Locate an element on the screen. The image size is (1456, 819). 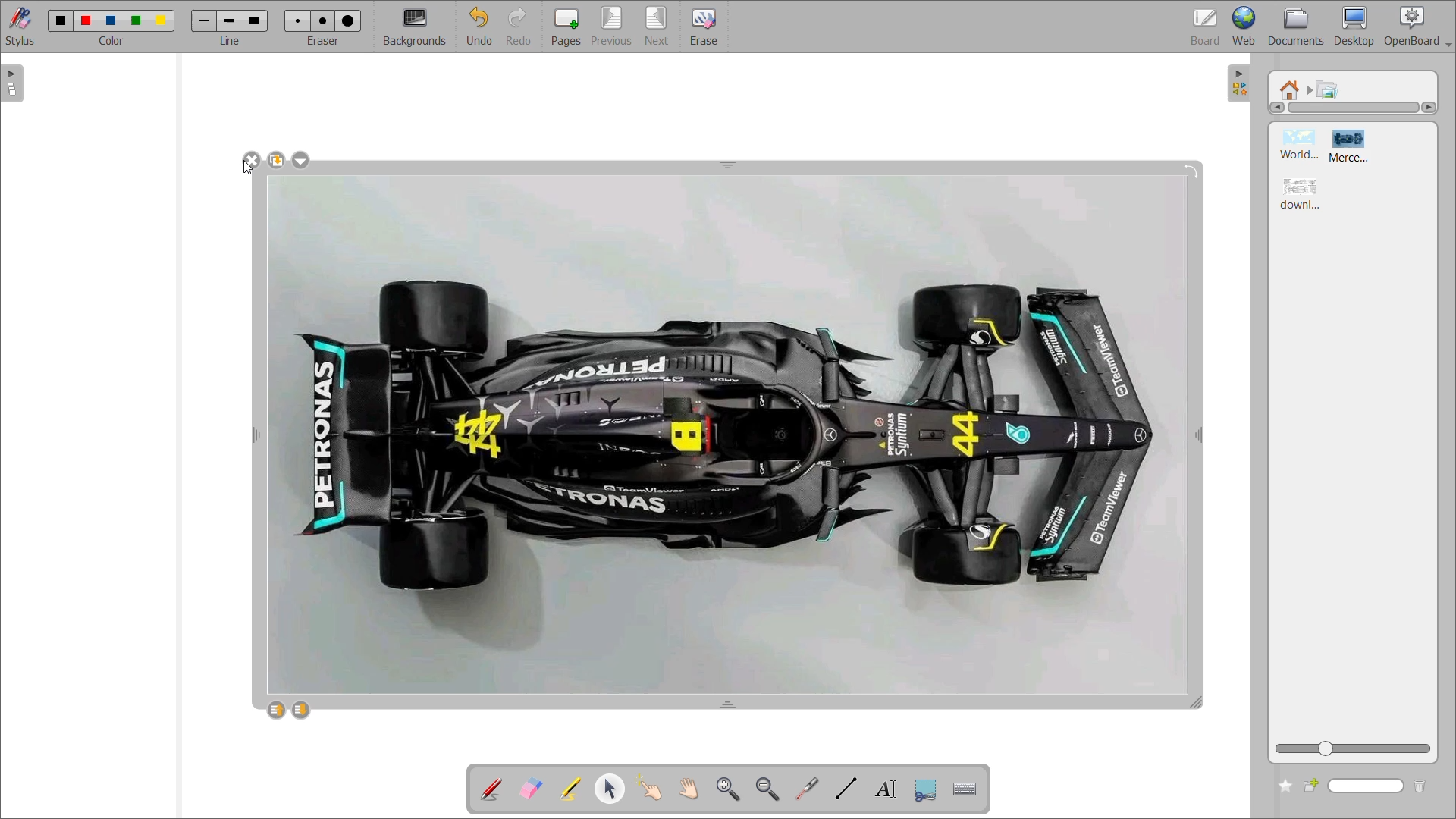
expand page pane is located at coordinates (13, 86).